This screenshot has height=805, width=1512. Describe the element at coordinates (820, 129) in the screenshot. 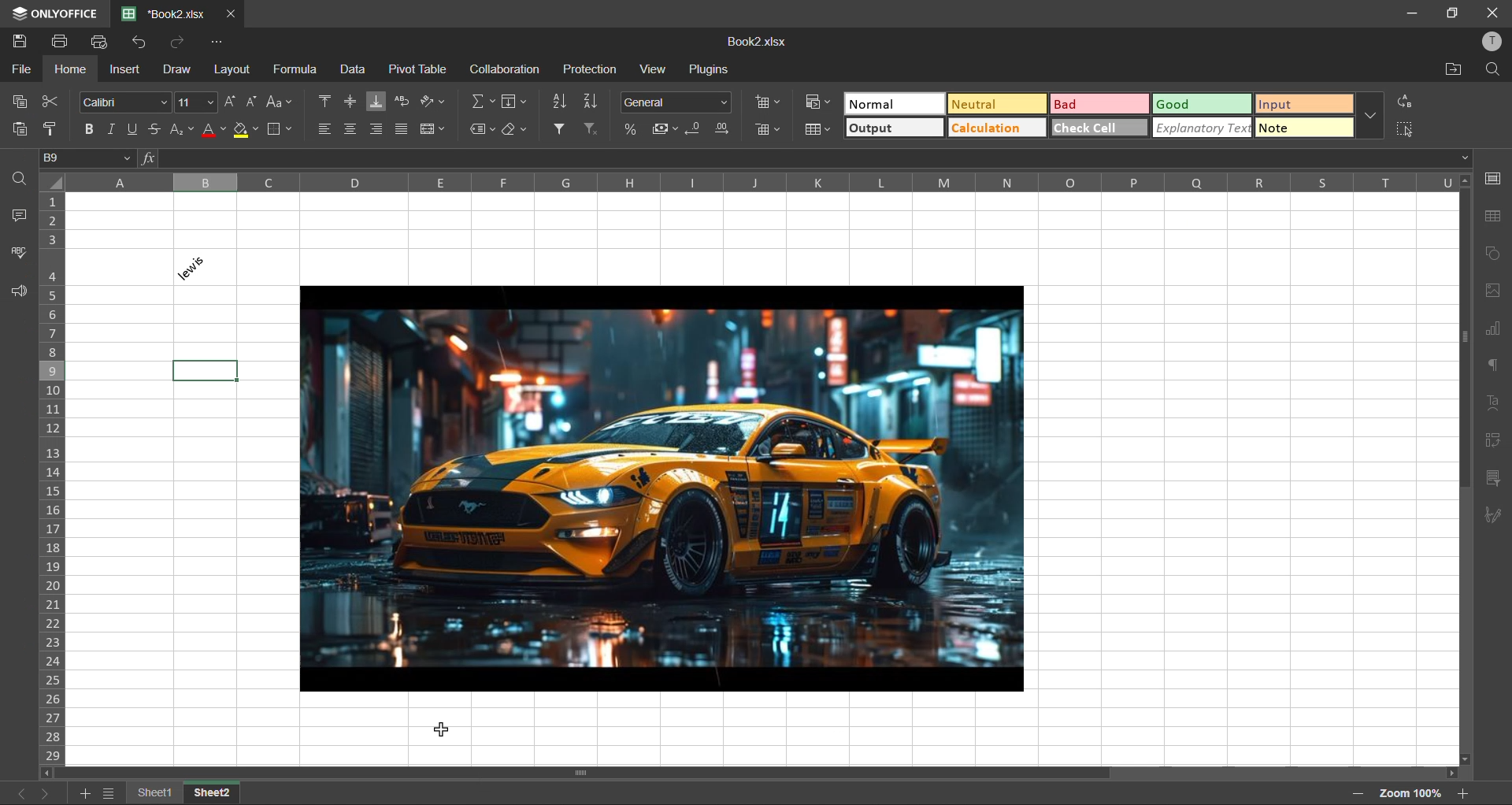

I see `format as table` at that location.